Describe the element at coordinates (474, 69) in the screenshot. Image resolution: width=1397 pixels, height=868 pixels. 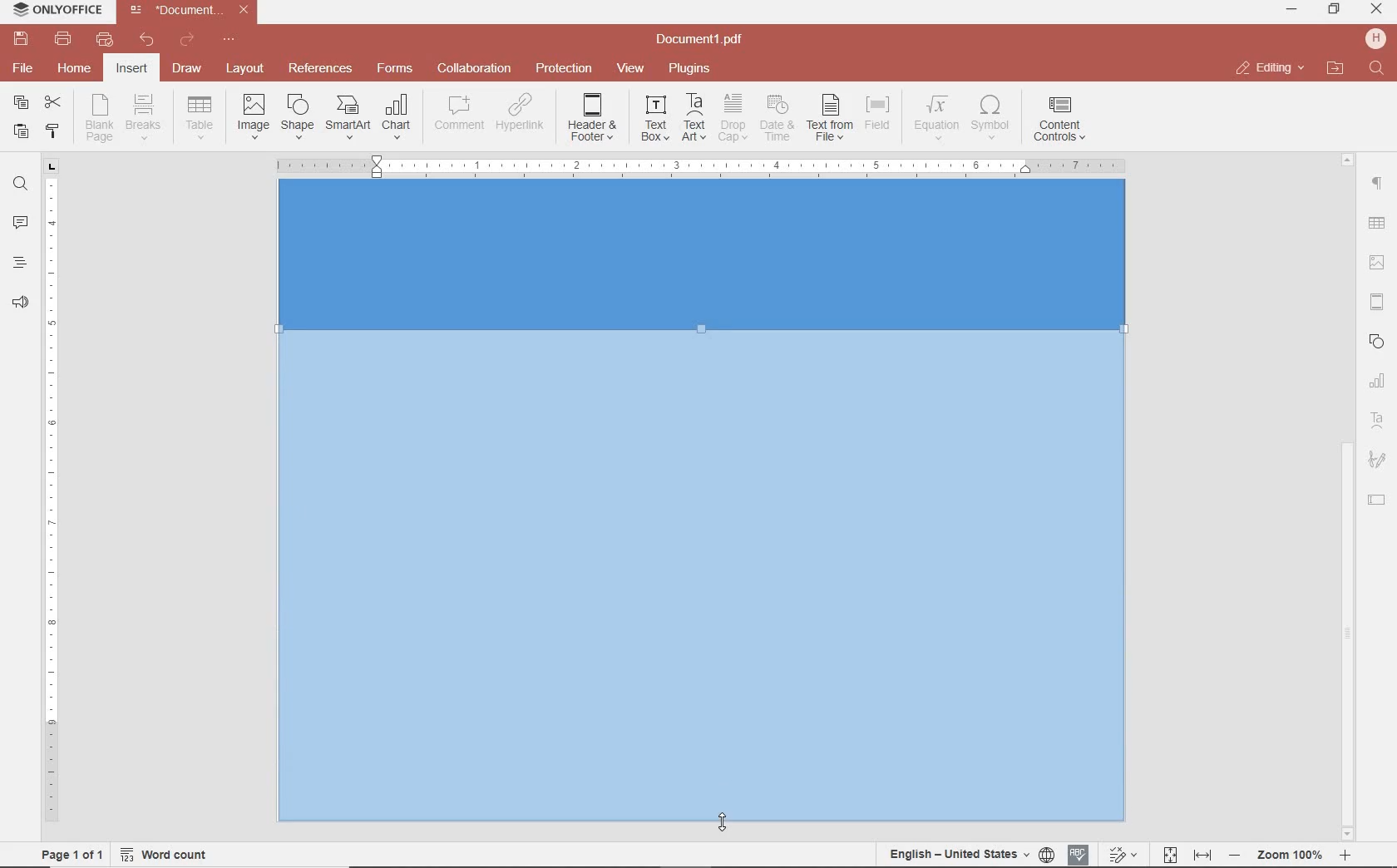
I see `collaboration` at that location.